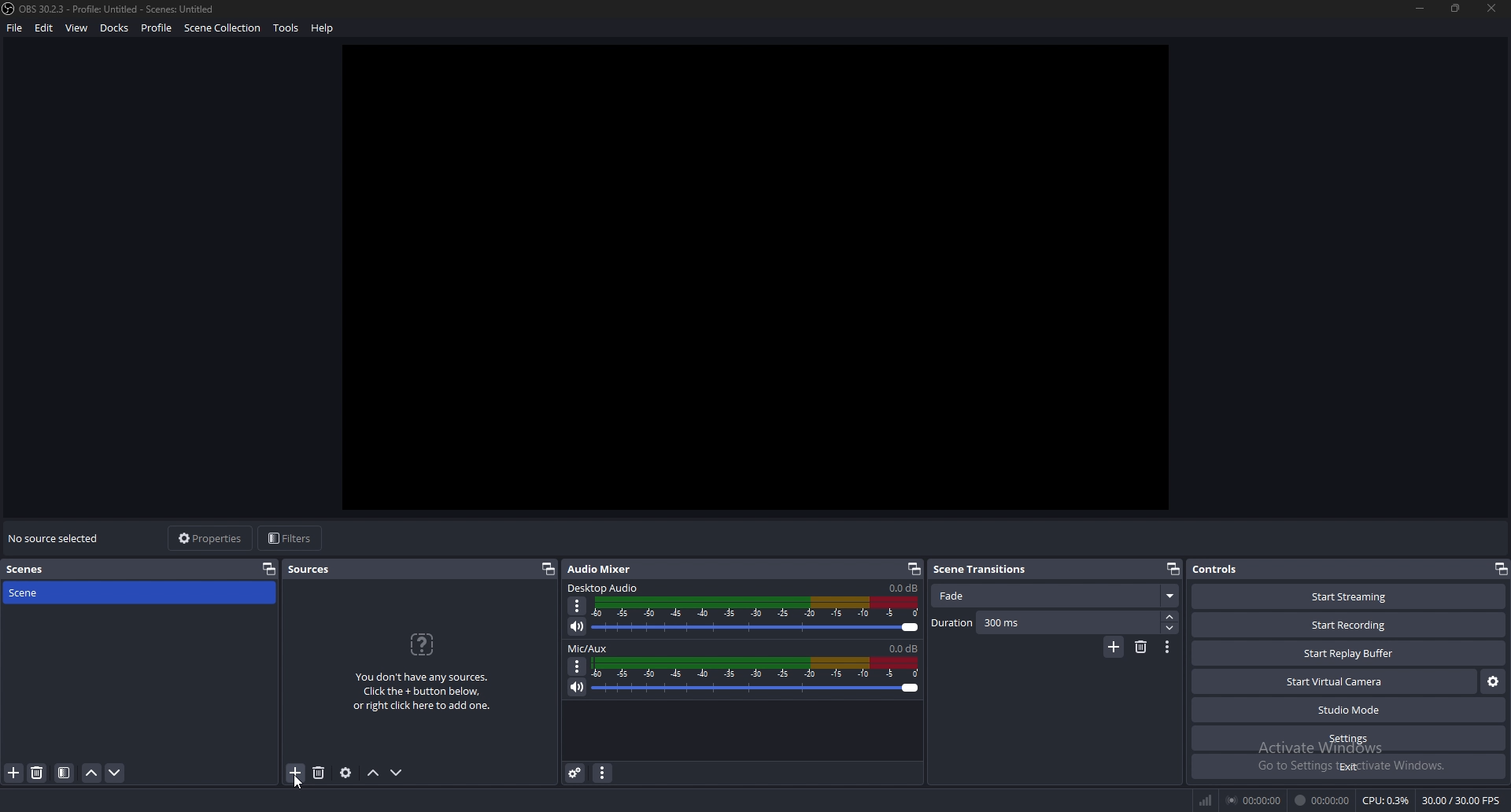  Describe the element at coordinates (1421, 9) in the screenshot. I see `minimize` at that location.